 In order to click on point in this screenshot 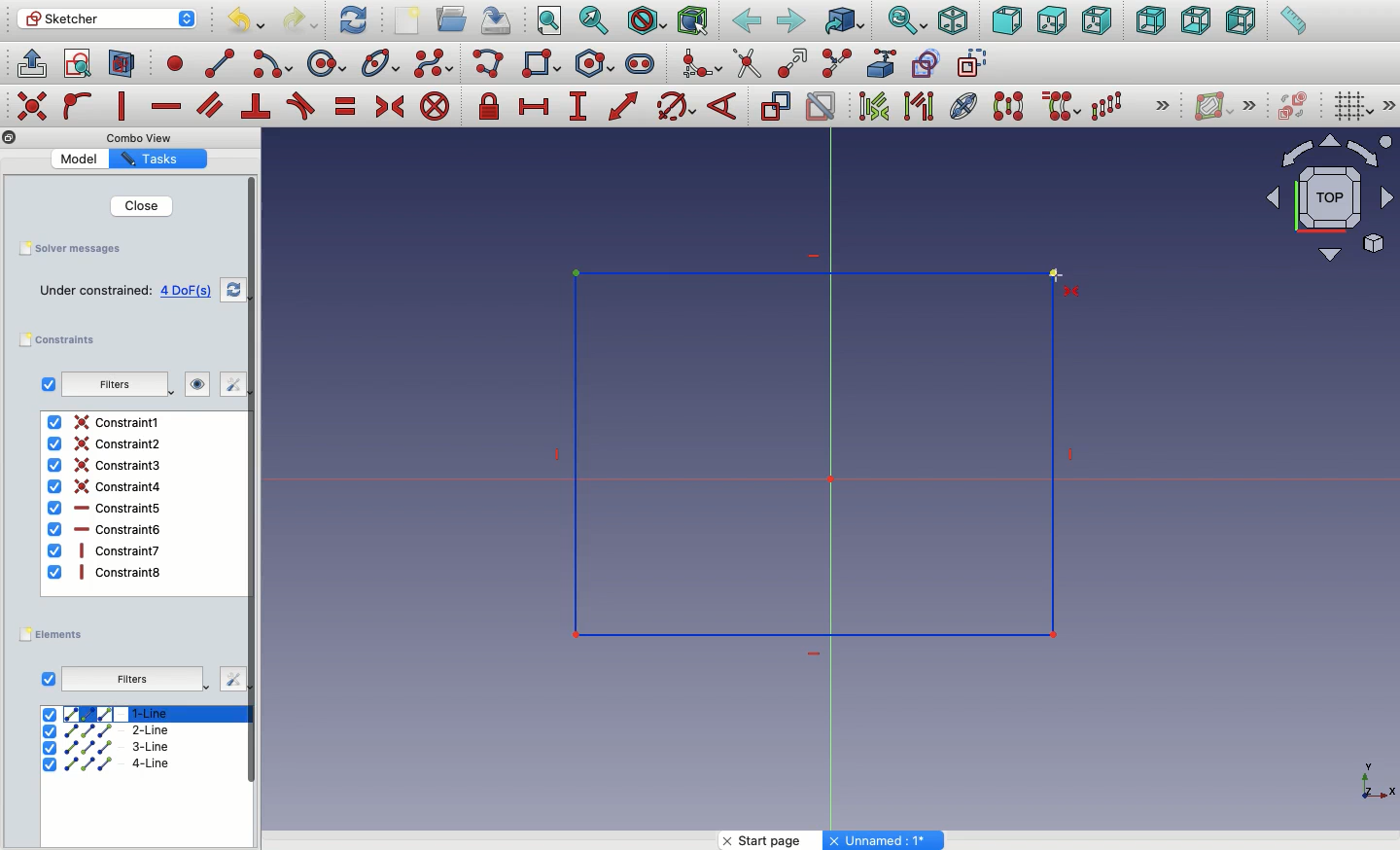, I will do `click(171, 62)`.